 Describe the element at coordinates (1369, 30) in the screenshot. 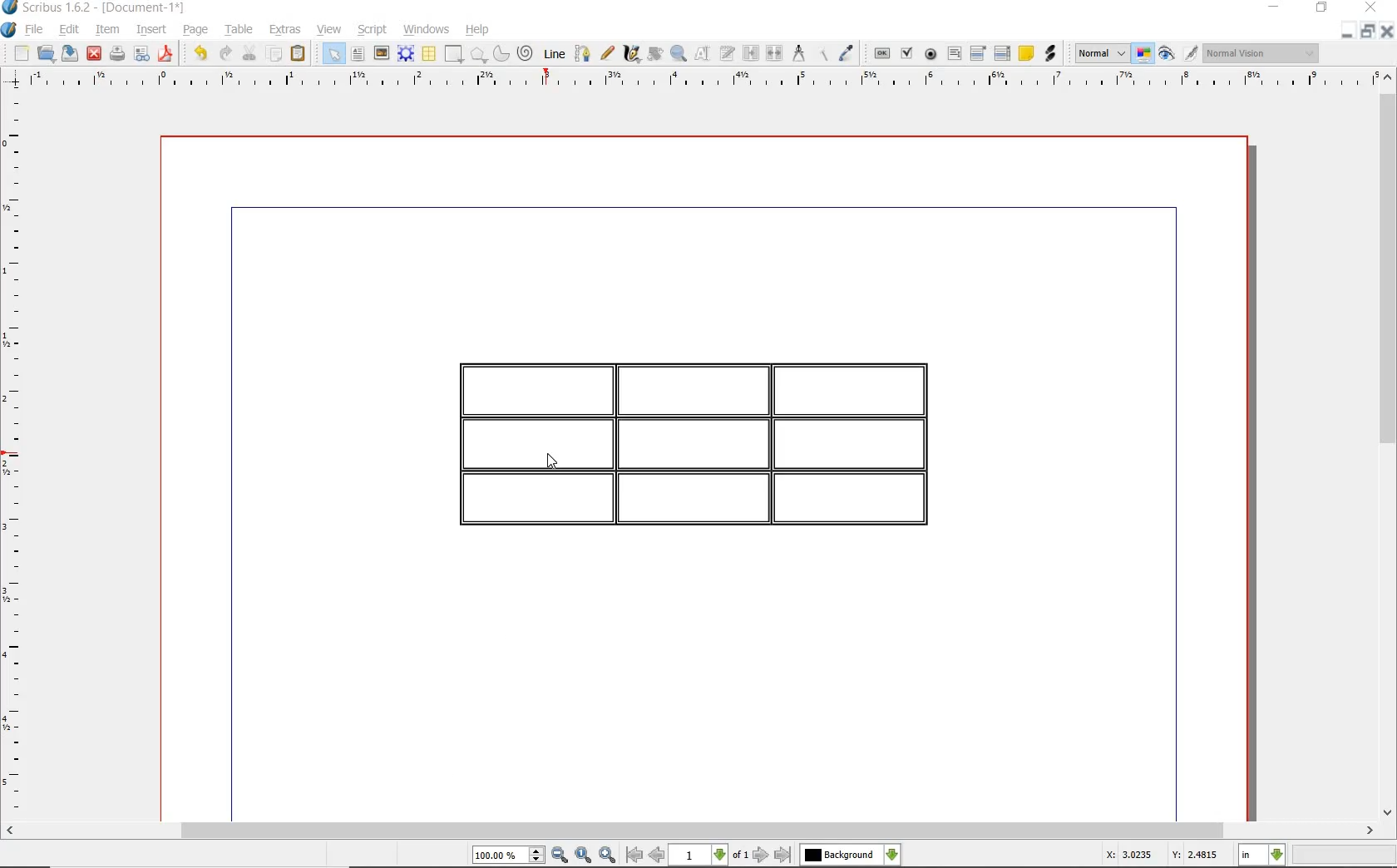

I see `RESTORE` at that location.